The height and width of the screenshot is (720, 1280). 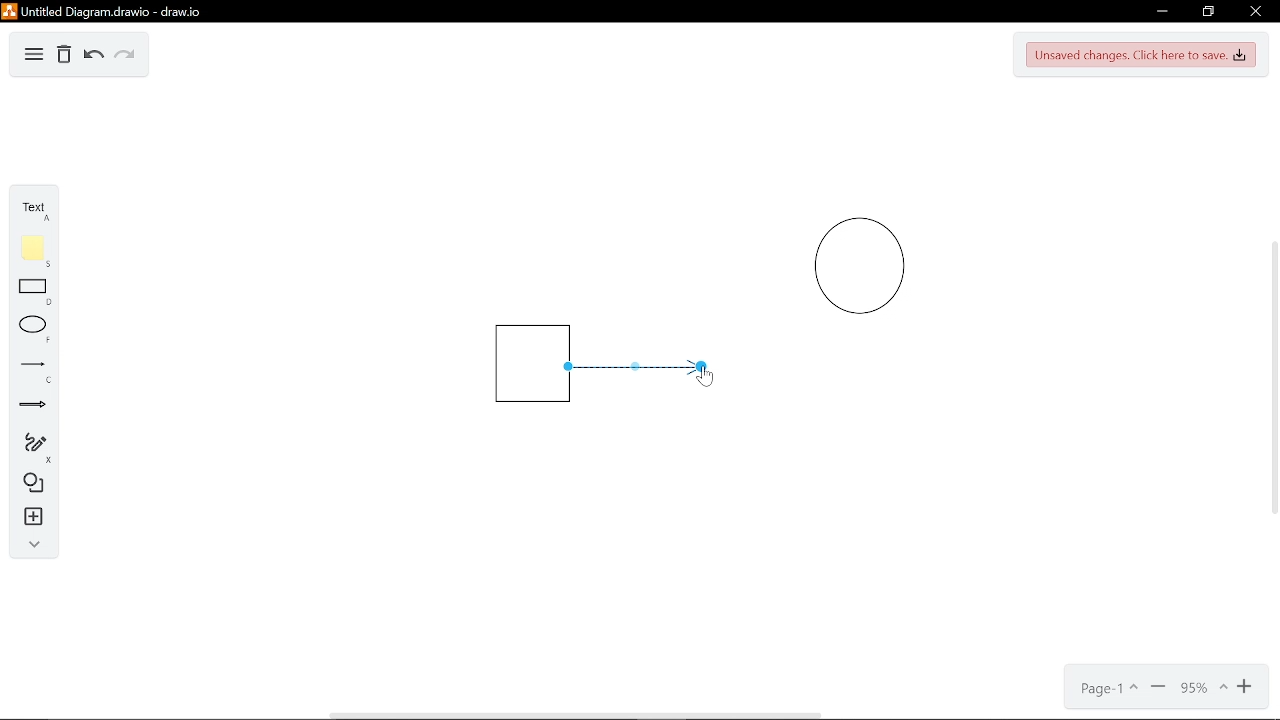 What do you see at coordinates (26, 206) in the screenshot?
I see `Text` at bounding box center [26, 206].